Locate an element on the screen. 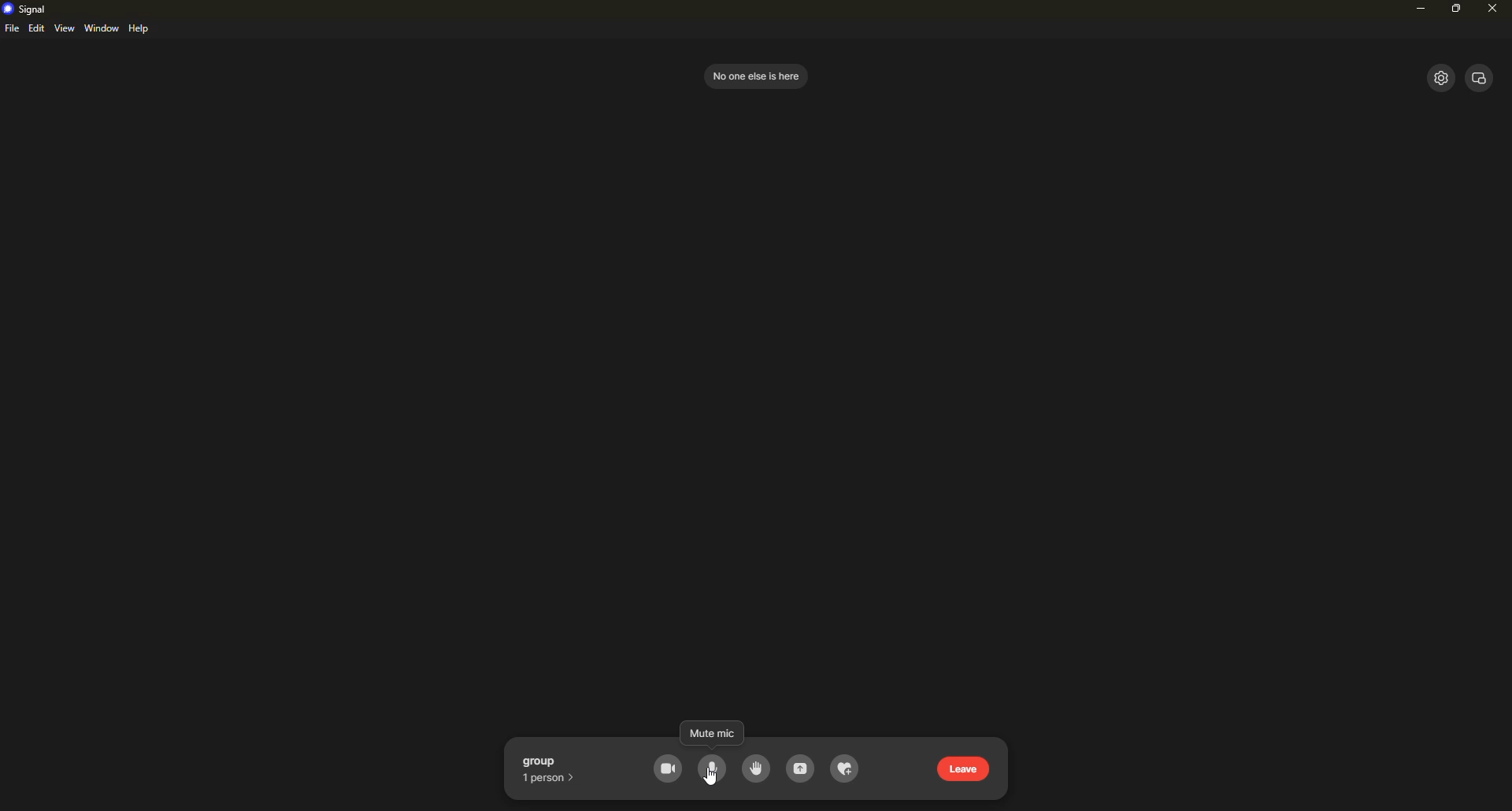  mute mic is located at coordinates (713, 768).